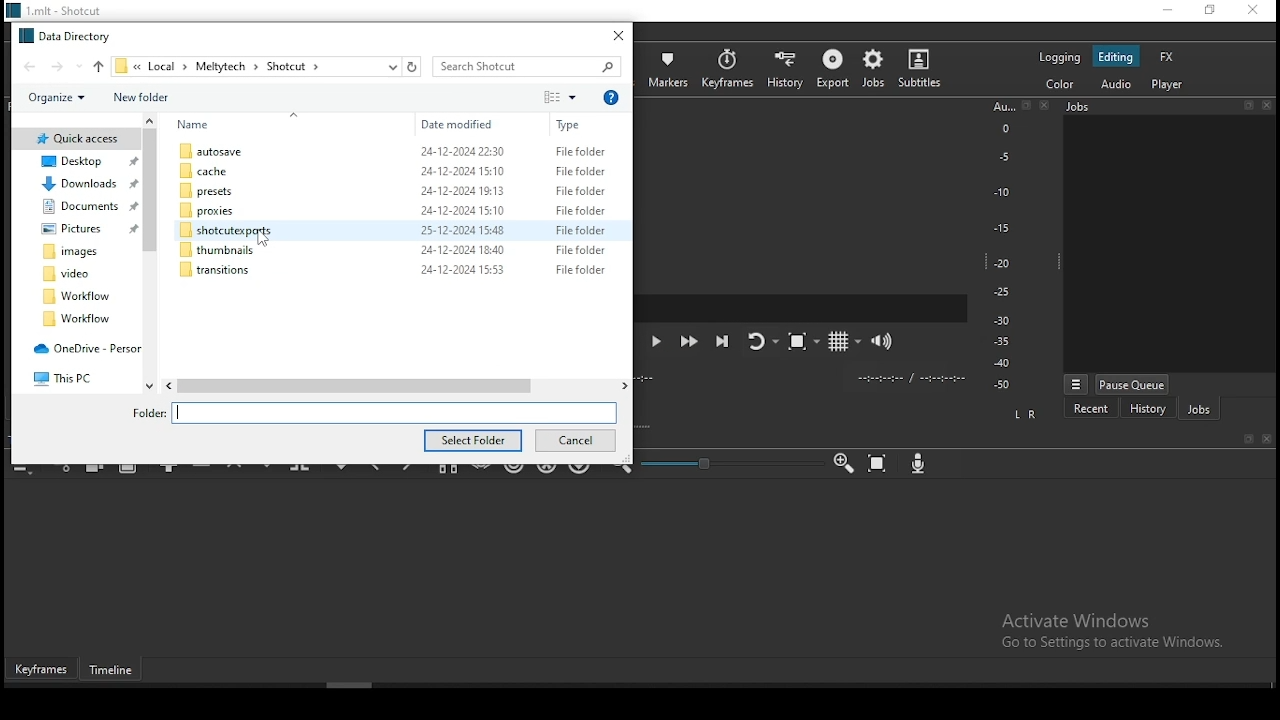  Describe the element at coordinates (458, 125) in the screenshot. I see `Date modified` at that location.